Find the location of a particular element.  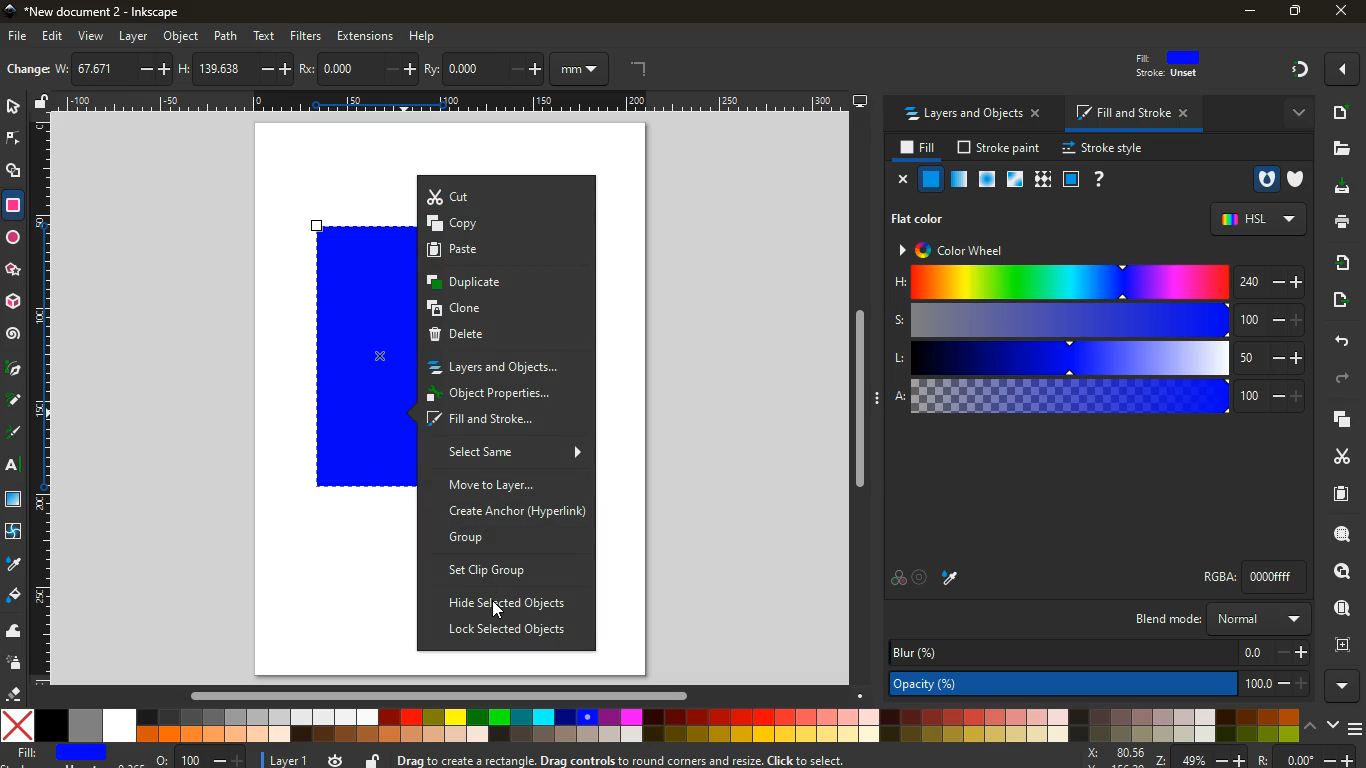

frame is located at coordinates (1344, 646).